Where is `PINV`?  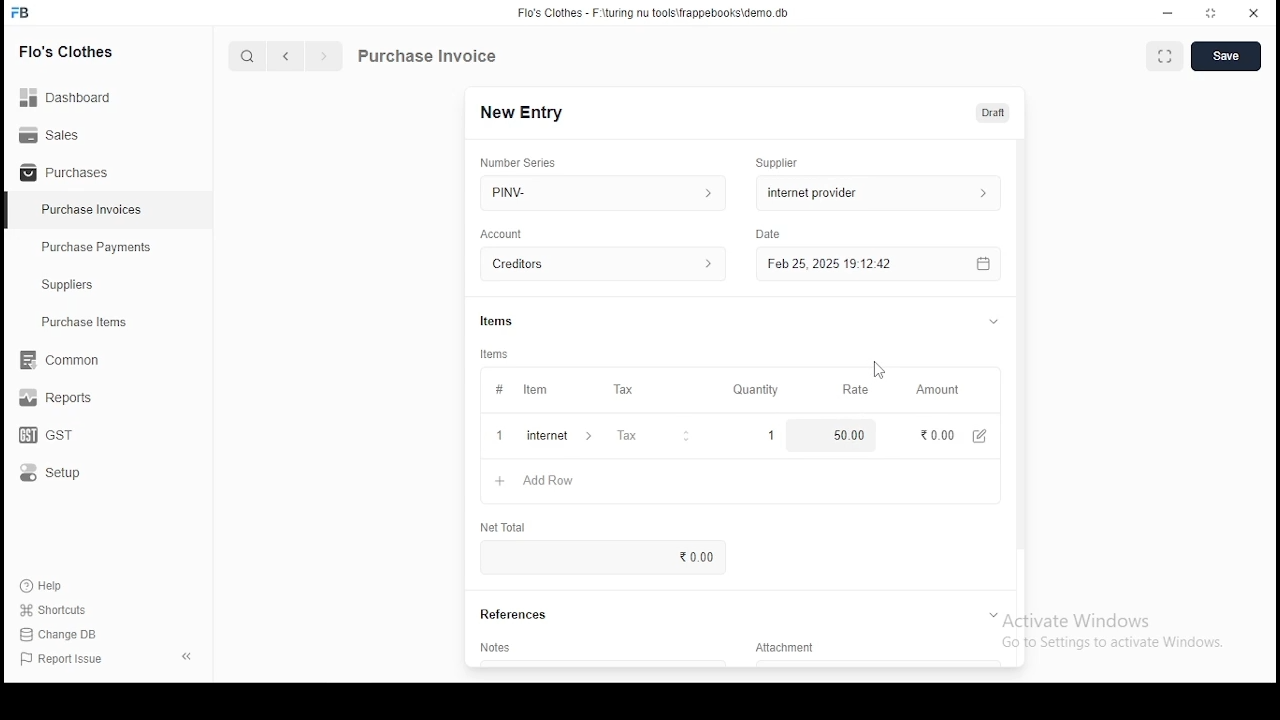 PINV is located at coordinates (603, 190).